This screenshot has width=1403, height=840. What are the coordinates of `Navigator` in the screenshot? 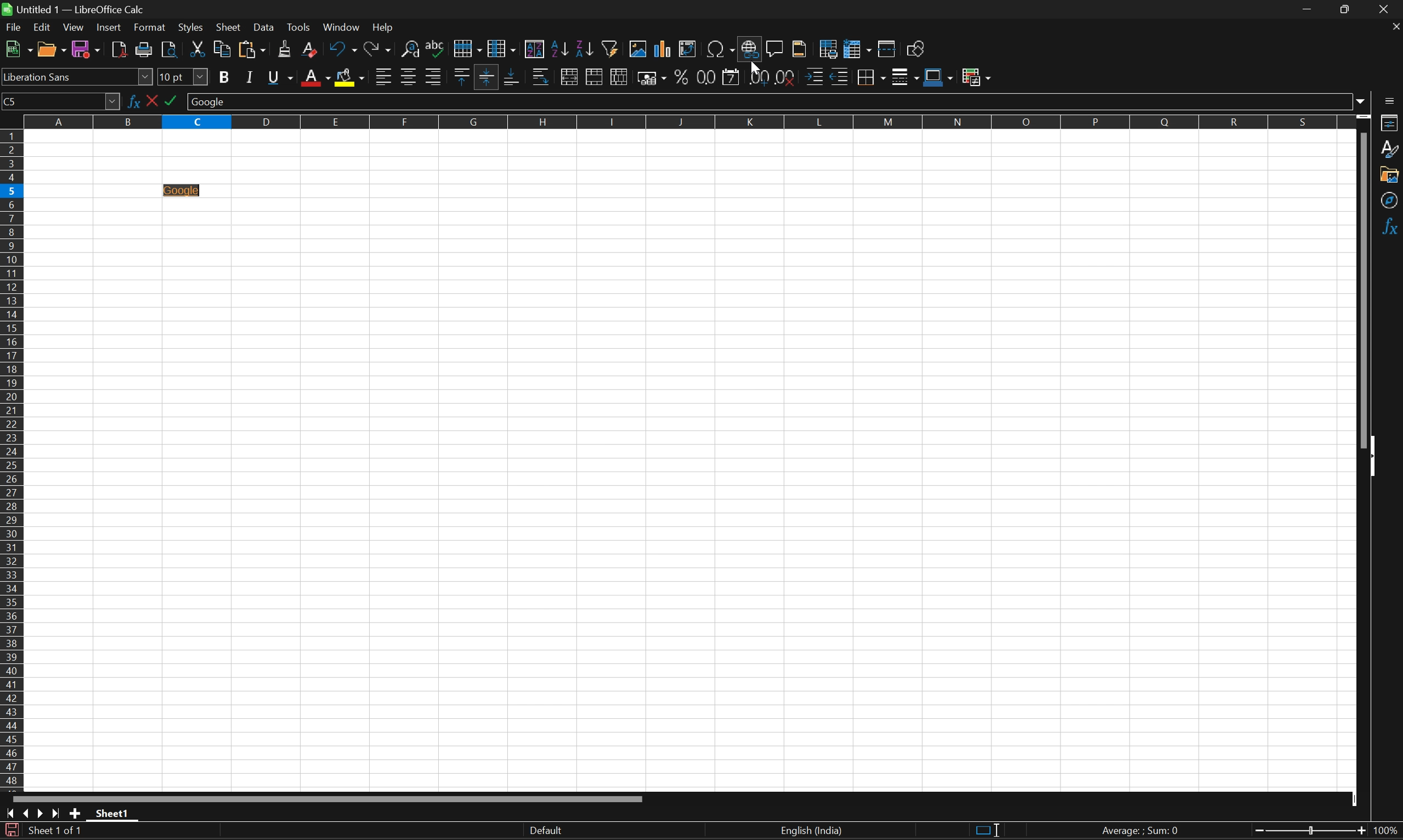 It's located at (1391, 201).